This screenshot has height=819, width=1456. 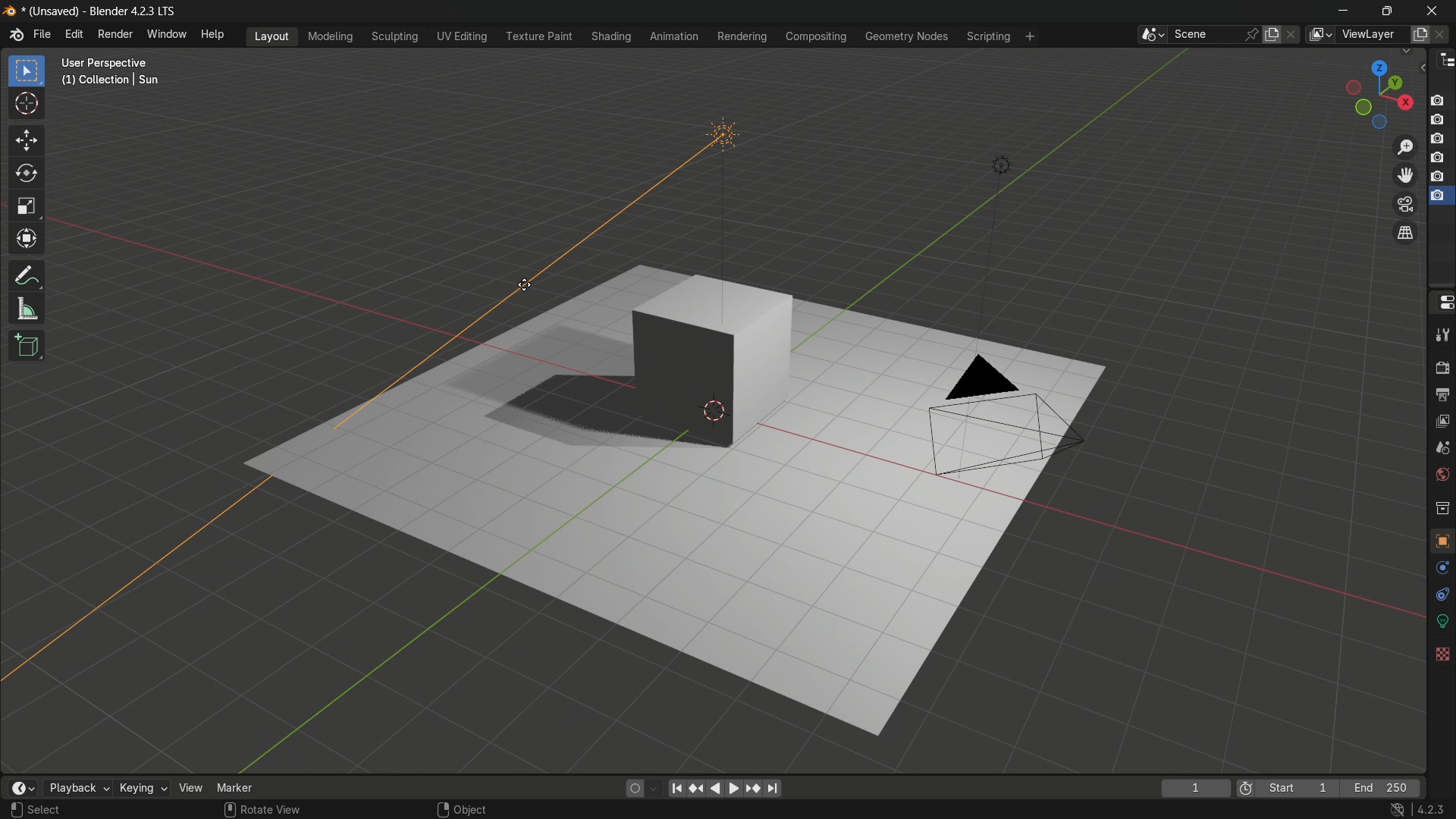 I want to click on object, so click(x=1442, y=537).